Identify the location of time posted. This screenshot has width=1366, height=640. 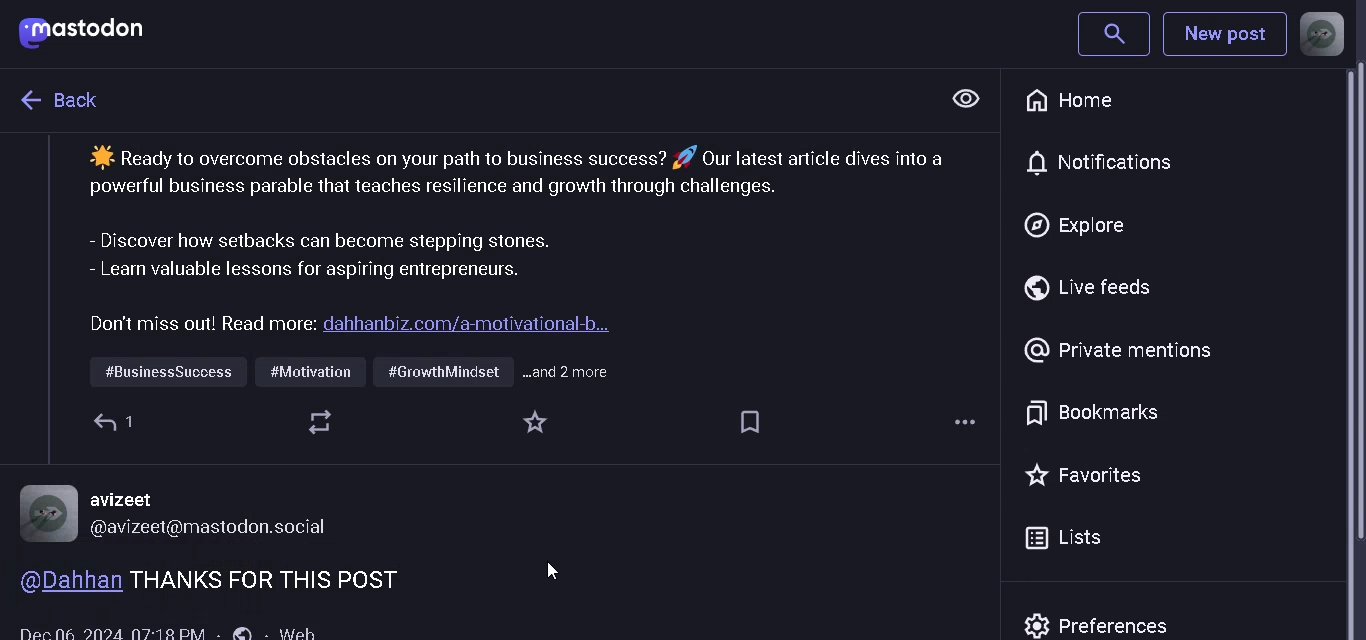
(113, 631).